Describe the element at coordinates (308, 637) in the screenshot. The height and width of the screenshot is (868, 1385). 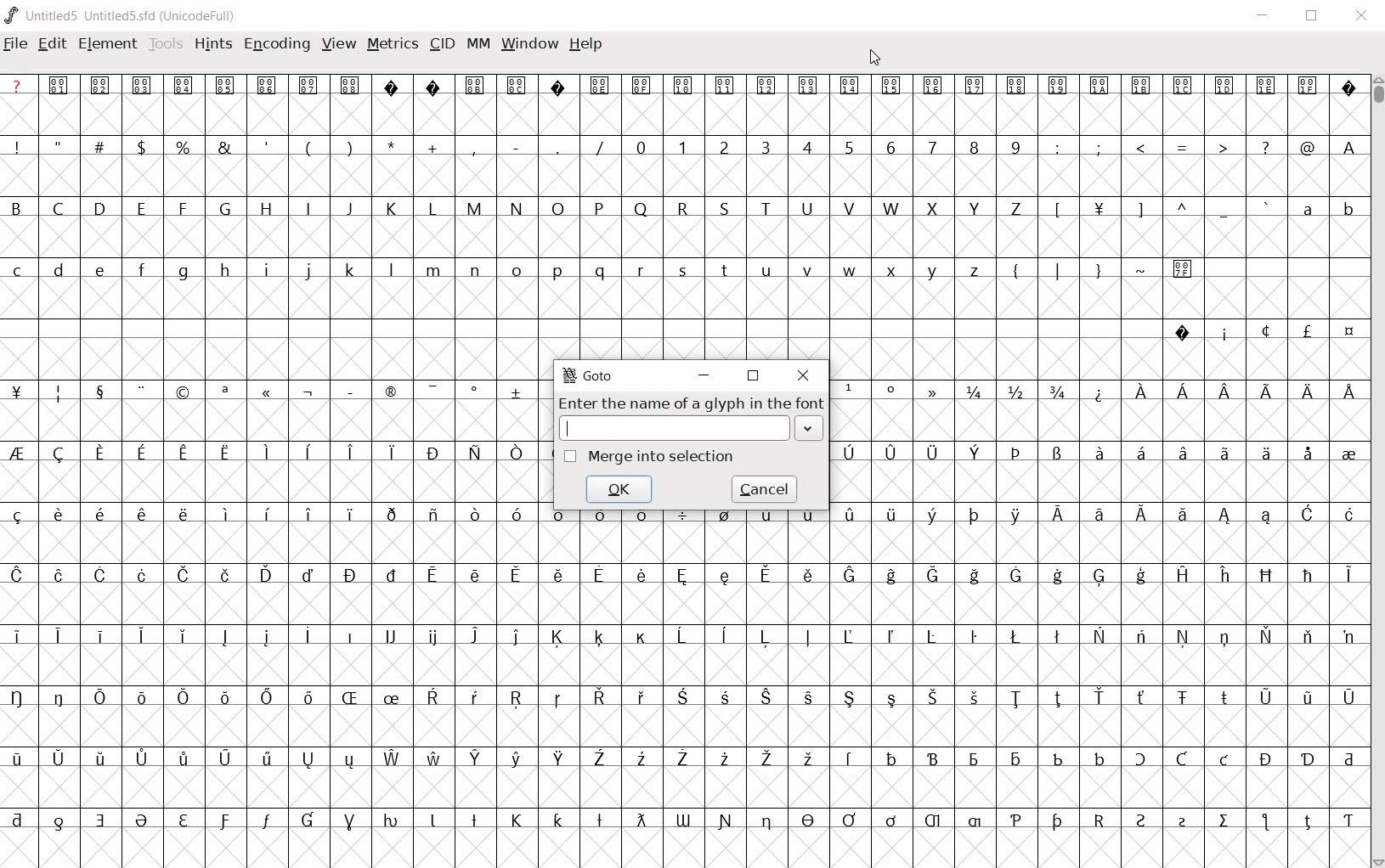
I see `Symbol` at that location.